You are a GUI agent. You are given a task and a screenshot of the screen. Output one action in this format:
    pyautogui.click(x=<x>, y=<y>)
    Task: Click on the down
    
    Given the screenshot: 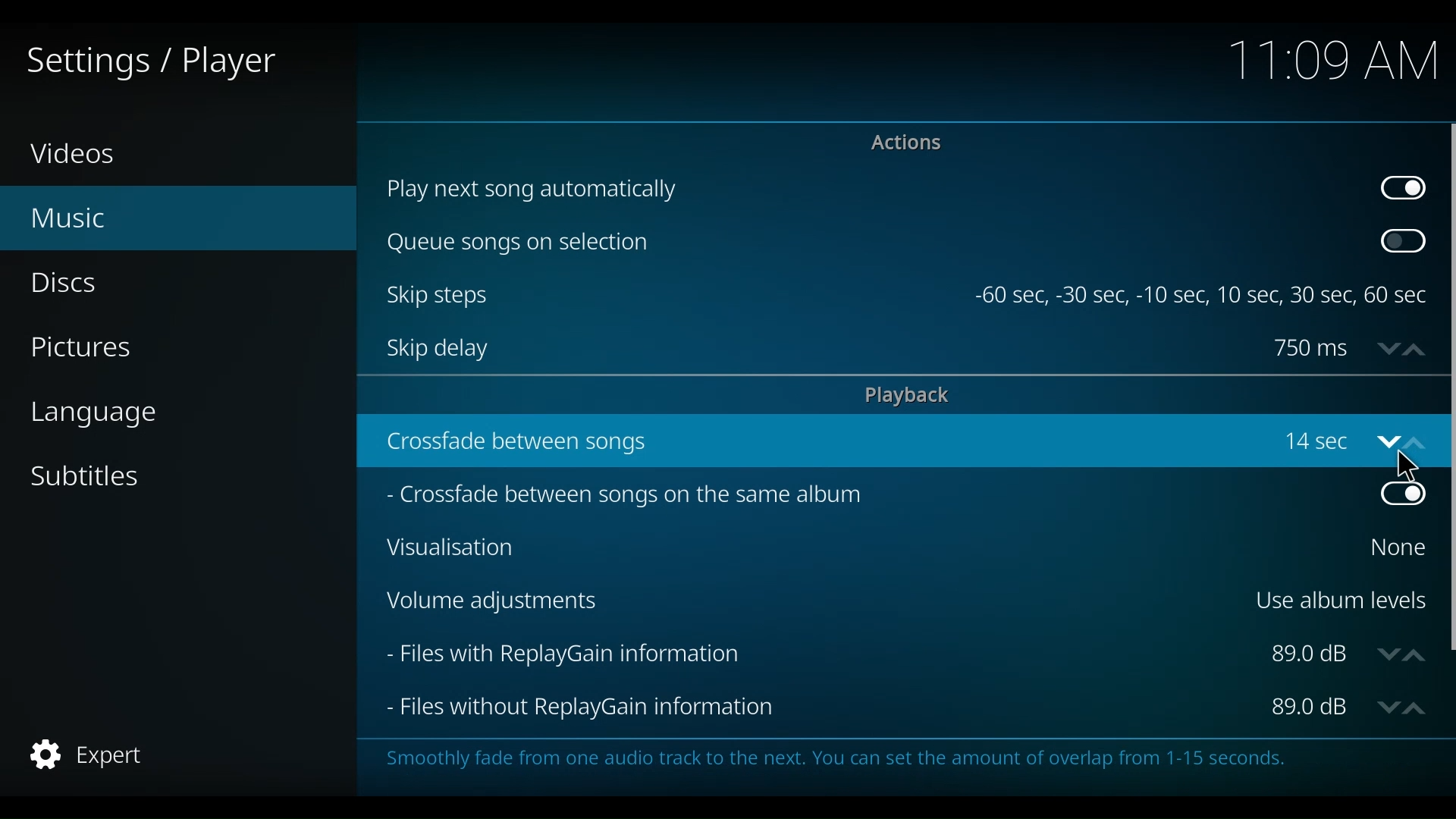 What is the action you would take?
    pyautogui.click(x=1384, y=347)
    